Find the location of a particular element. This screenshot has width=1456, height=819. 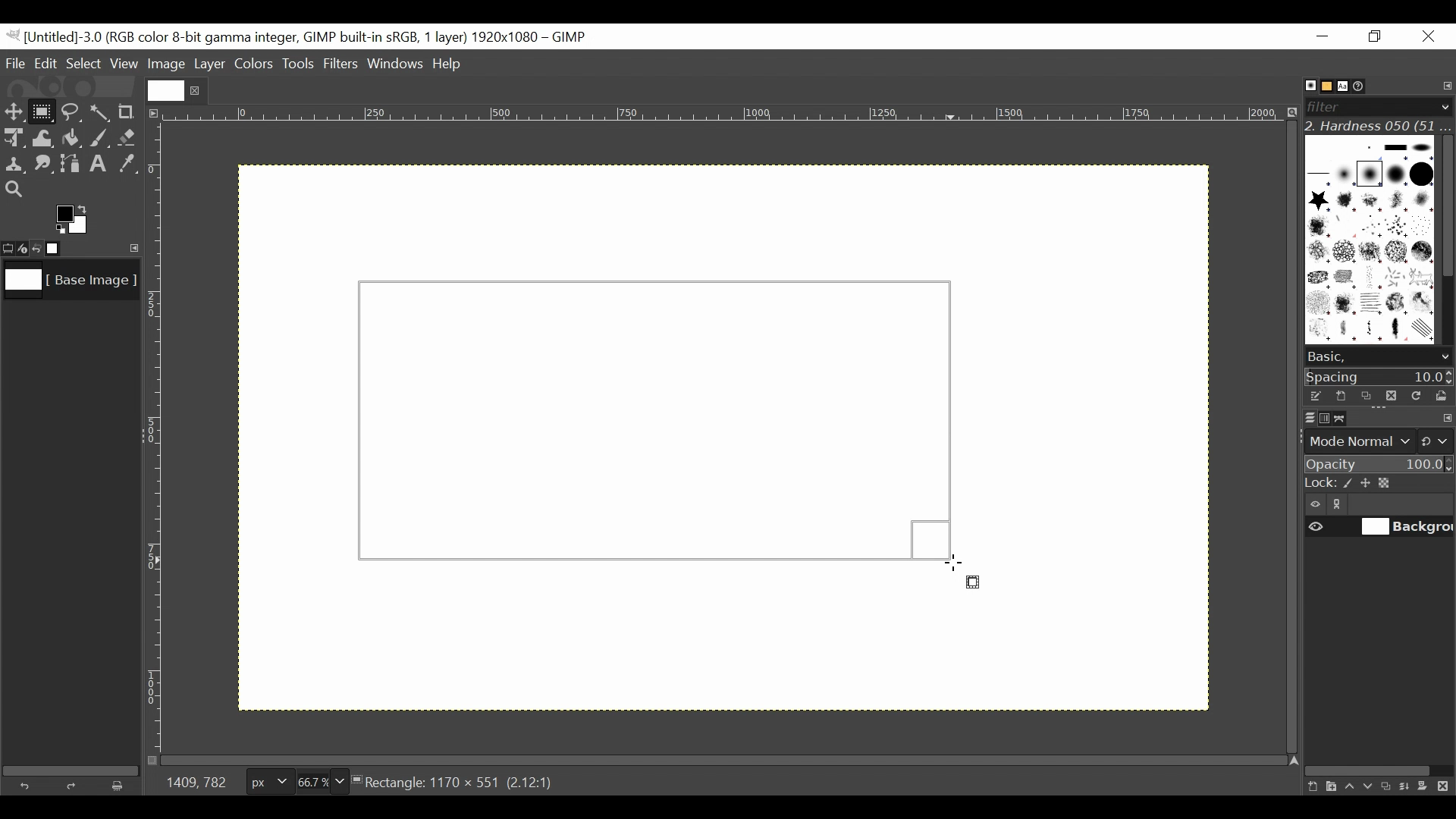

Zoom factor is located at coordinates (322, 780).